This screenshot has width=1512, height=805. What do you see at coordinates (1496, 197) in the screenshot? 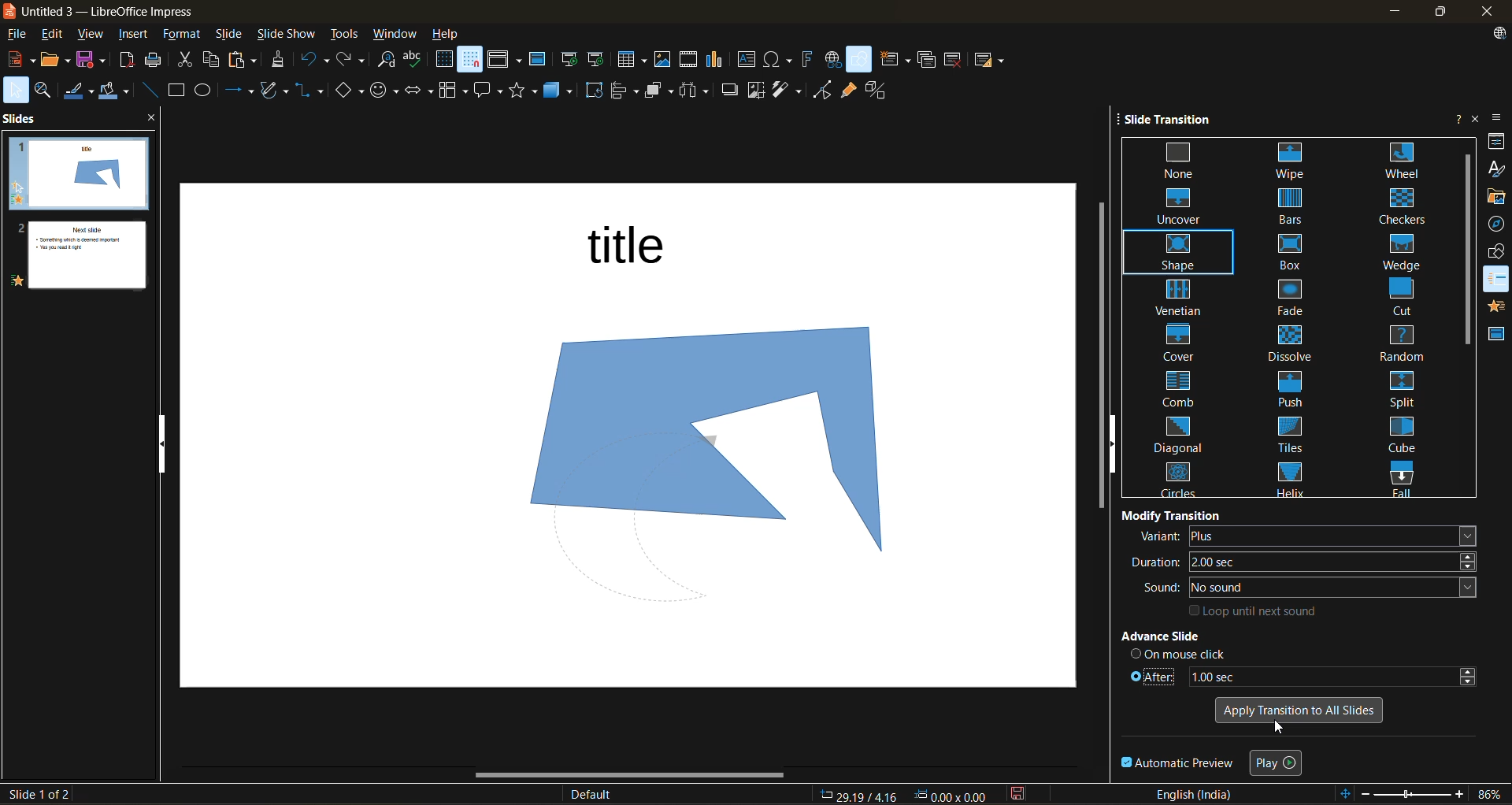
I see `gallery` at bounding box center [1496, 197].